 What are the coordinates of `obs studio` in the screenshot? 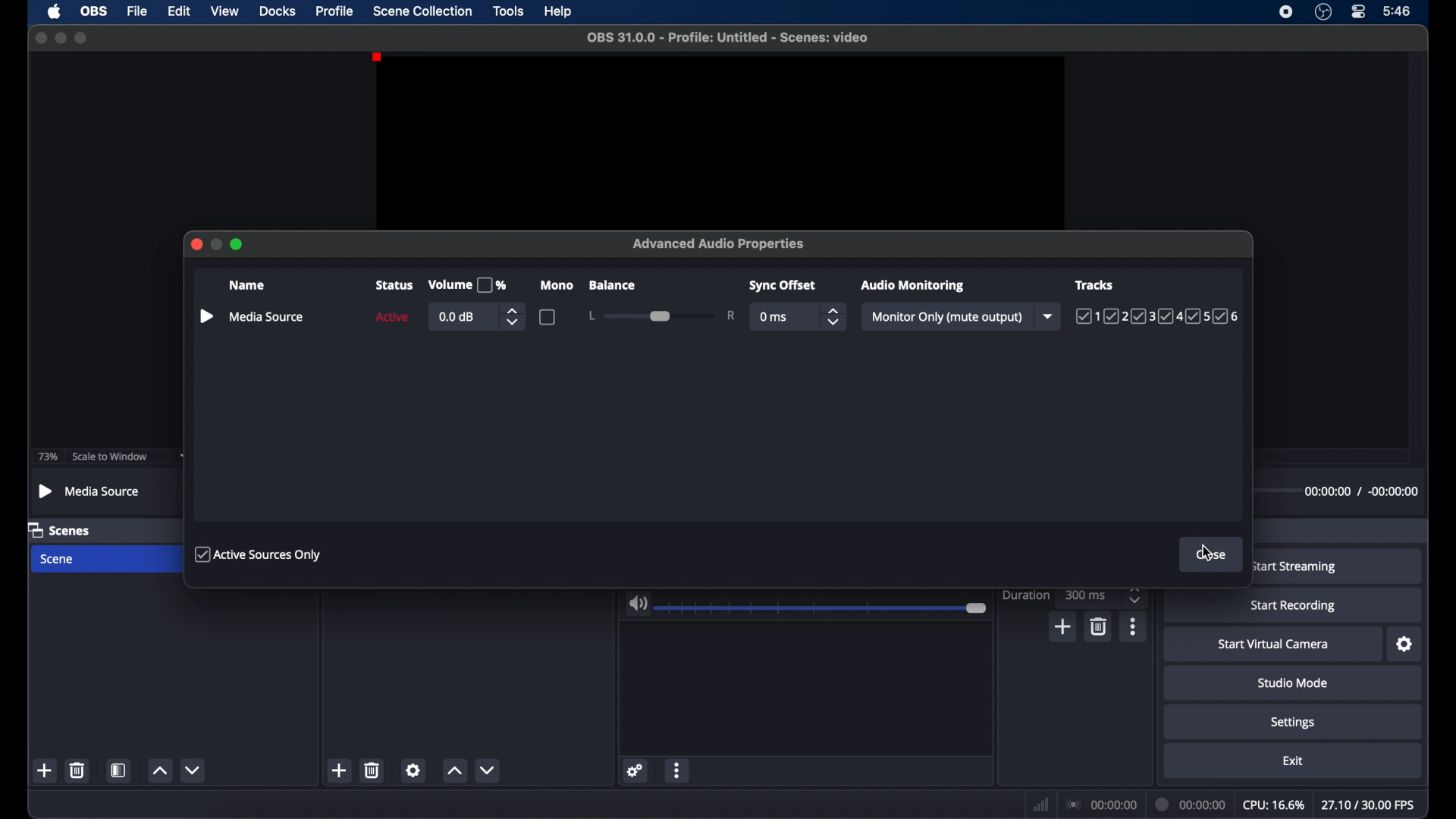 It's located at (1323, 12).